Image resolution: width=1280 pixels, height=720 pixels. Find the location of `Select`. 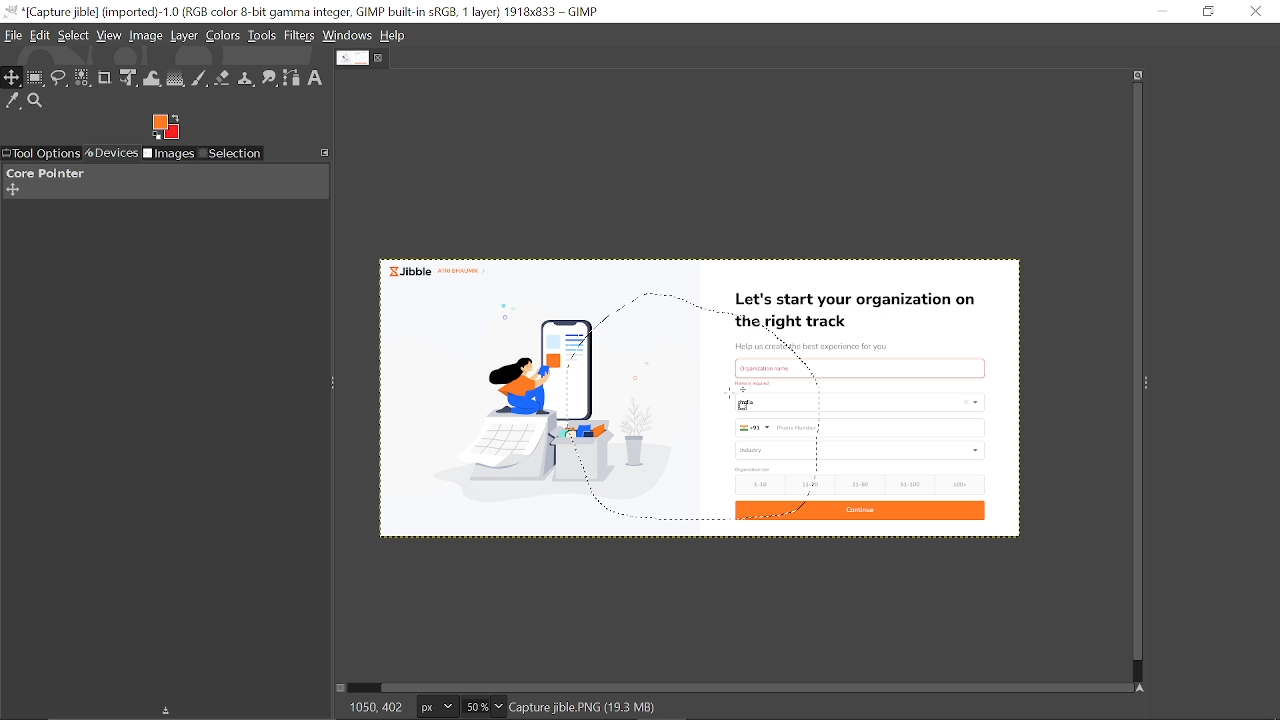

Select is located at coordinates (75, 36).